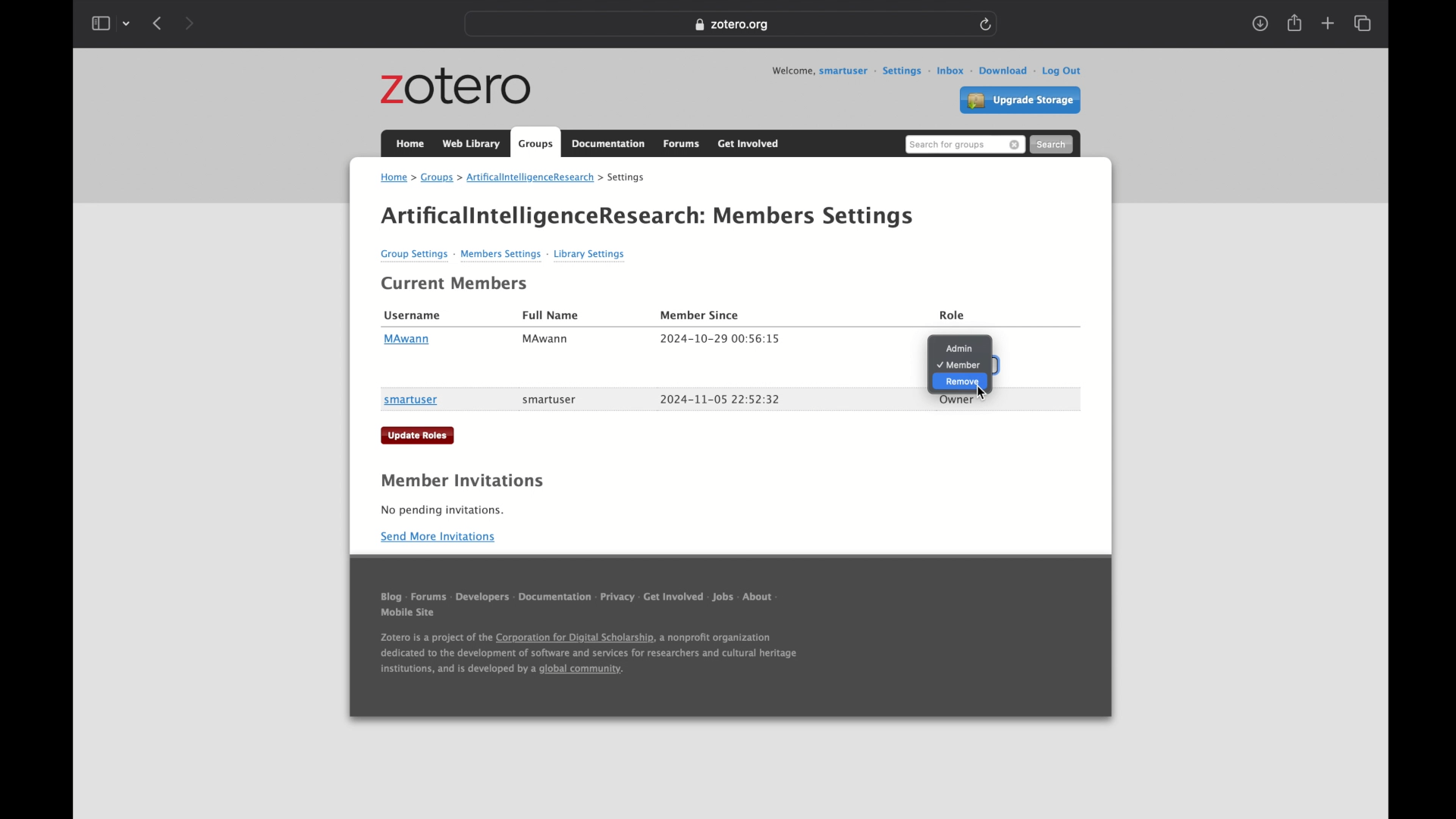  Describe the element at coordinates (391, 599) in the screenshot. I see `blog` at that location.